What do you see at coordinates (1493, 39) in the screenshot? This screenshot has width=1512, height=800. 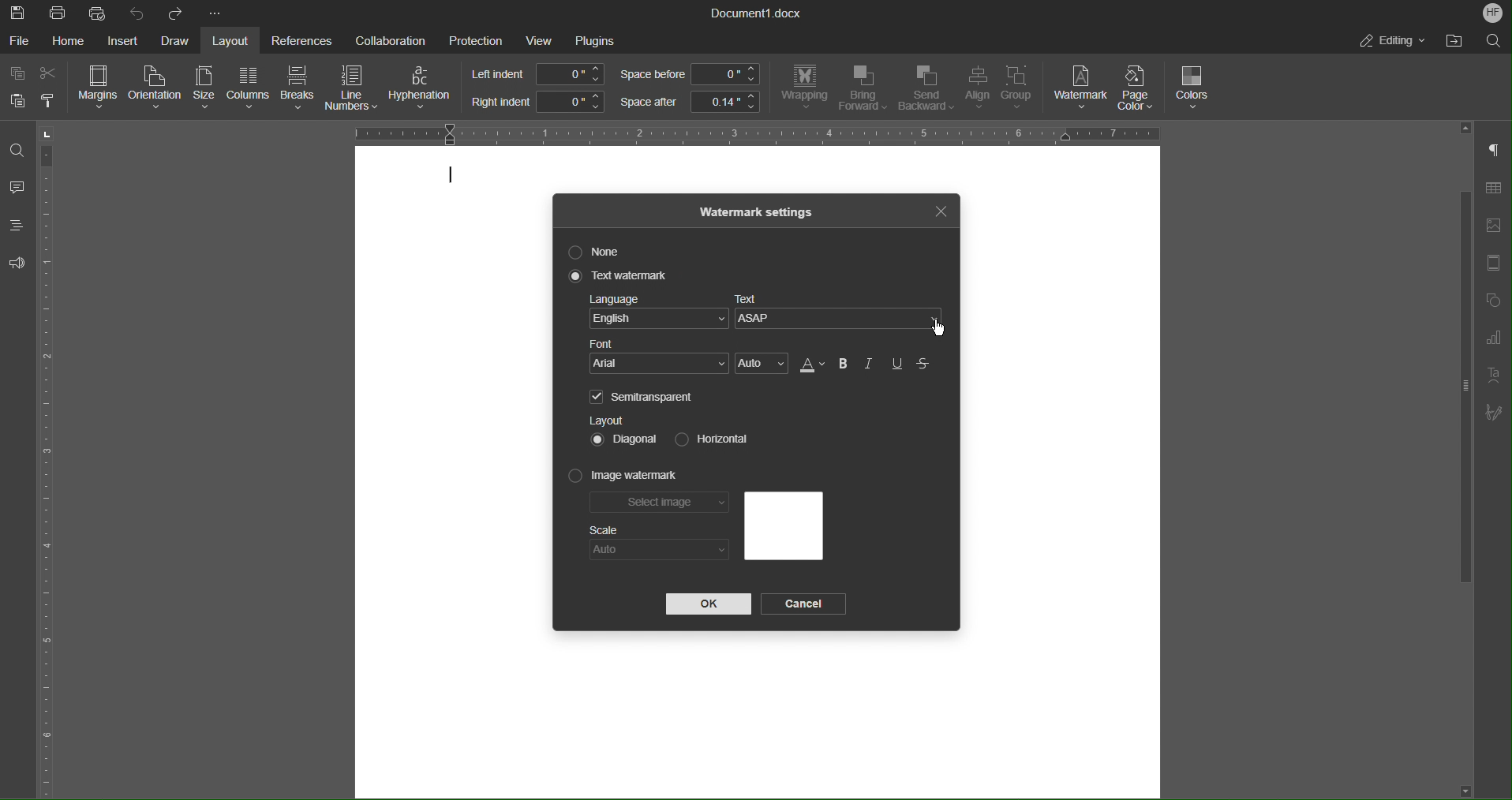 I see `Search` at bounding box center [1493, 39].